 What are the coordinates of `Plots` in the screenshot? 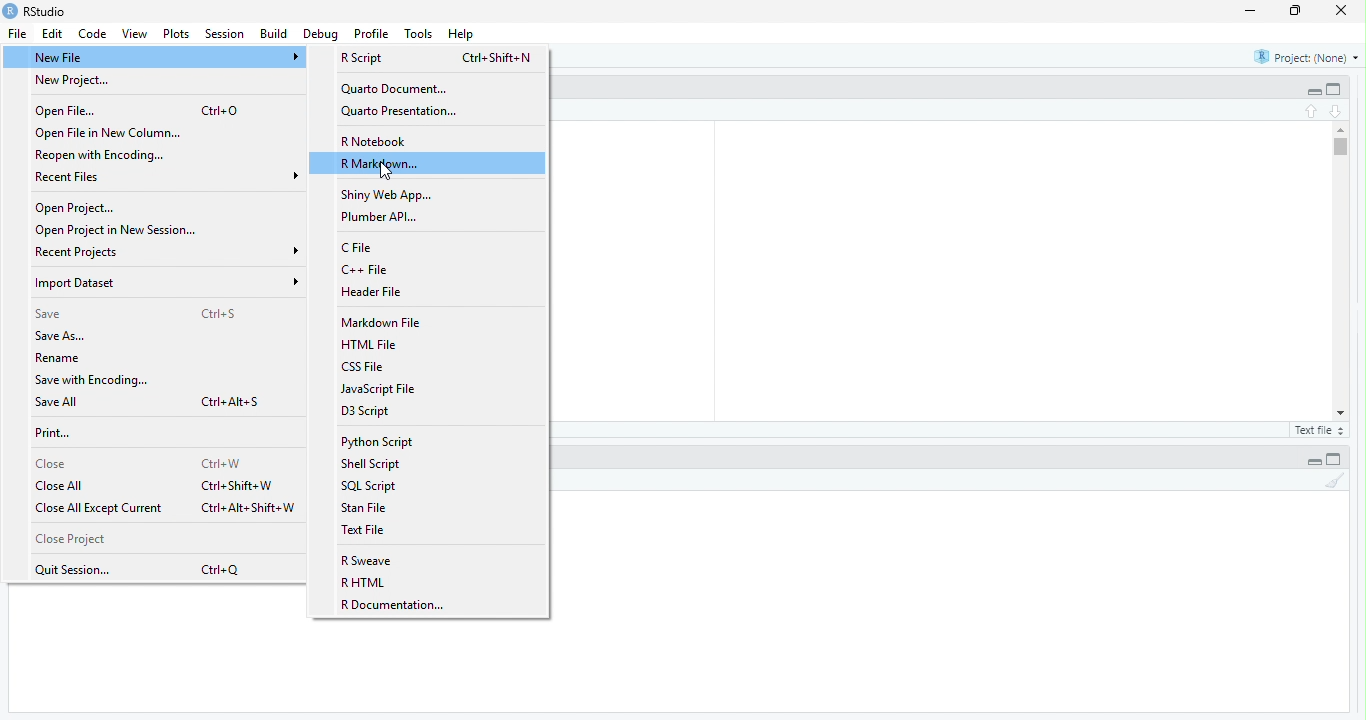 It's located at (178, 35).